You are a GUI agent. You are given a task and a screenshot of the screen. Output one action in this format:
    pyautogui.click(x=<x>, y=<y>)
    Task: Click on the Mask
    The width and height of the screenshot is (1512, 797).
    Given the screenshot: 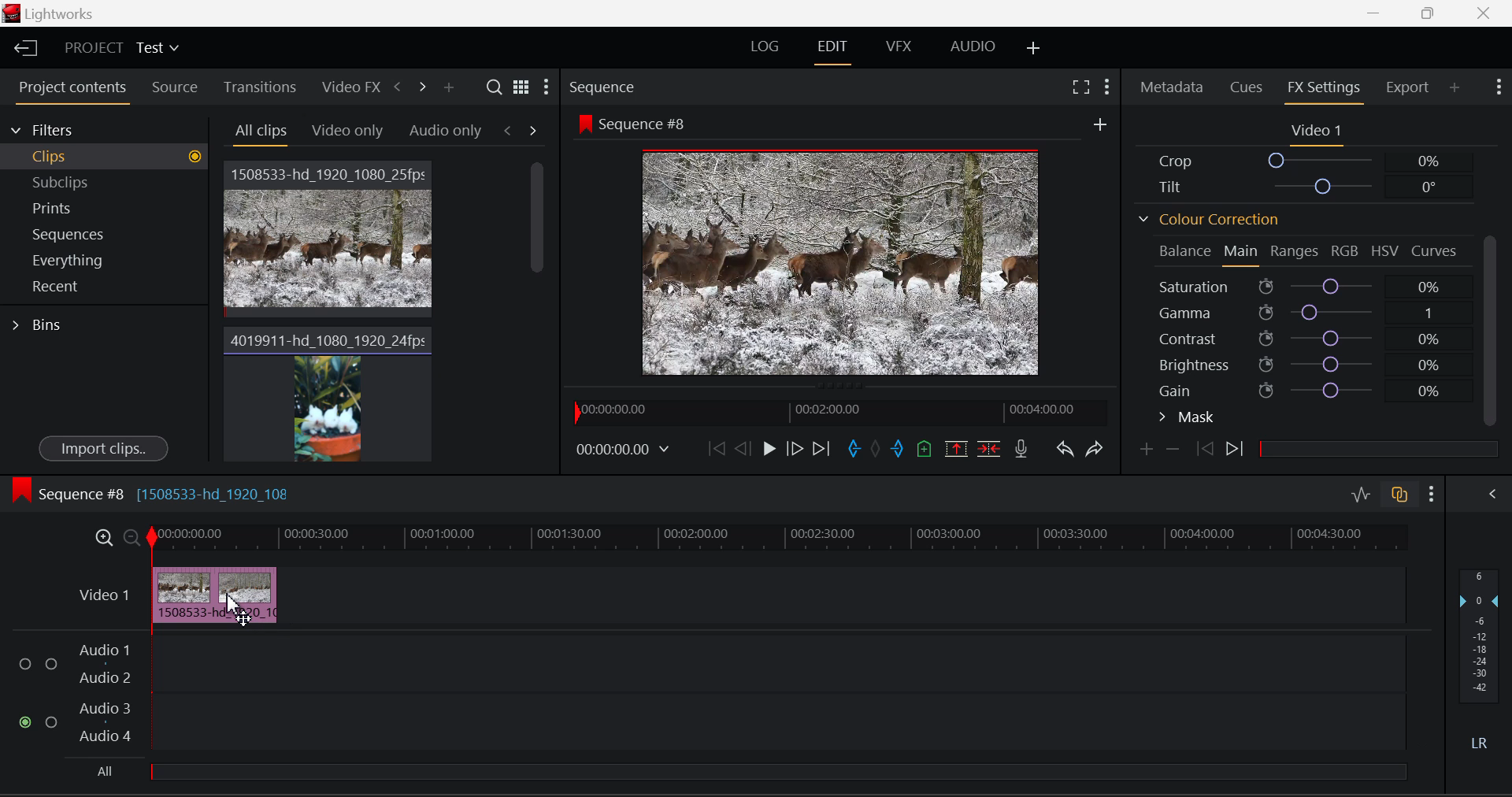 What is the action you would take?
    pyautogui.click(x=1187, y=417)
    